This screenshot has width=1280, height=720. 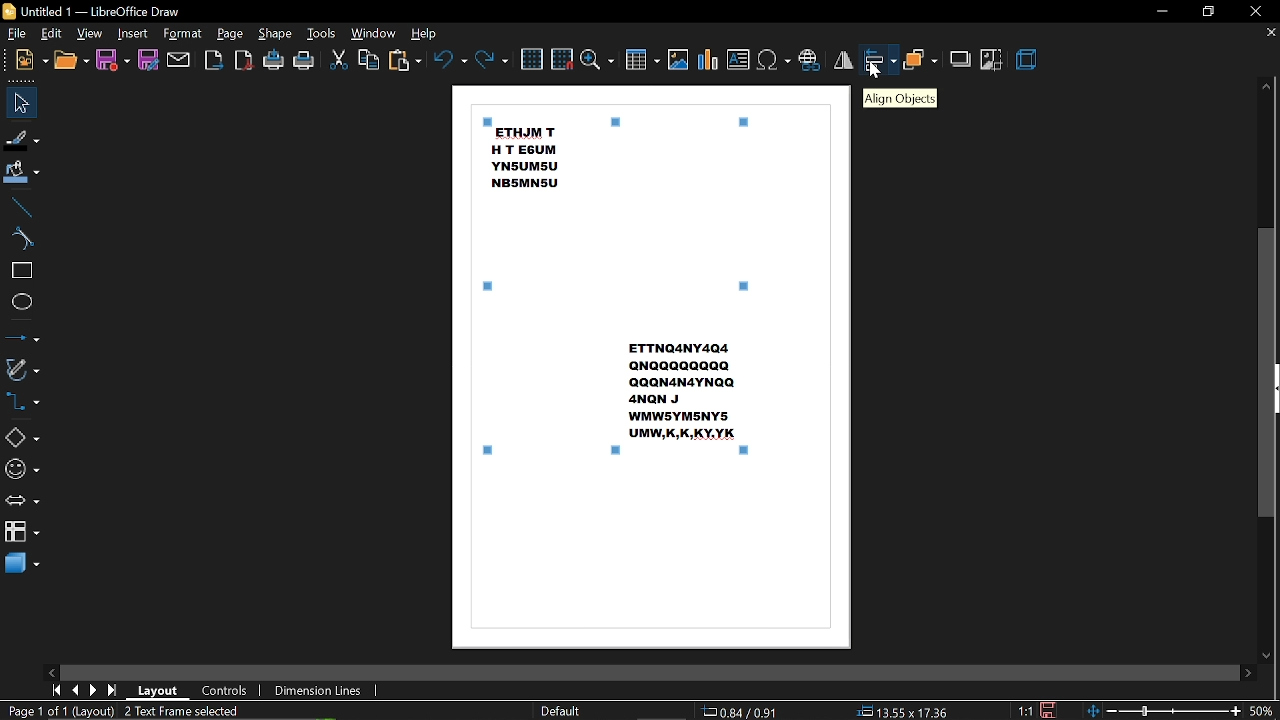 I want to click on close, so click(x=1258, y=11).